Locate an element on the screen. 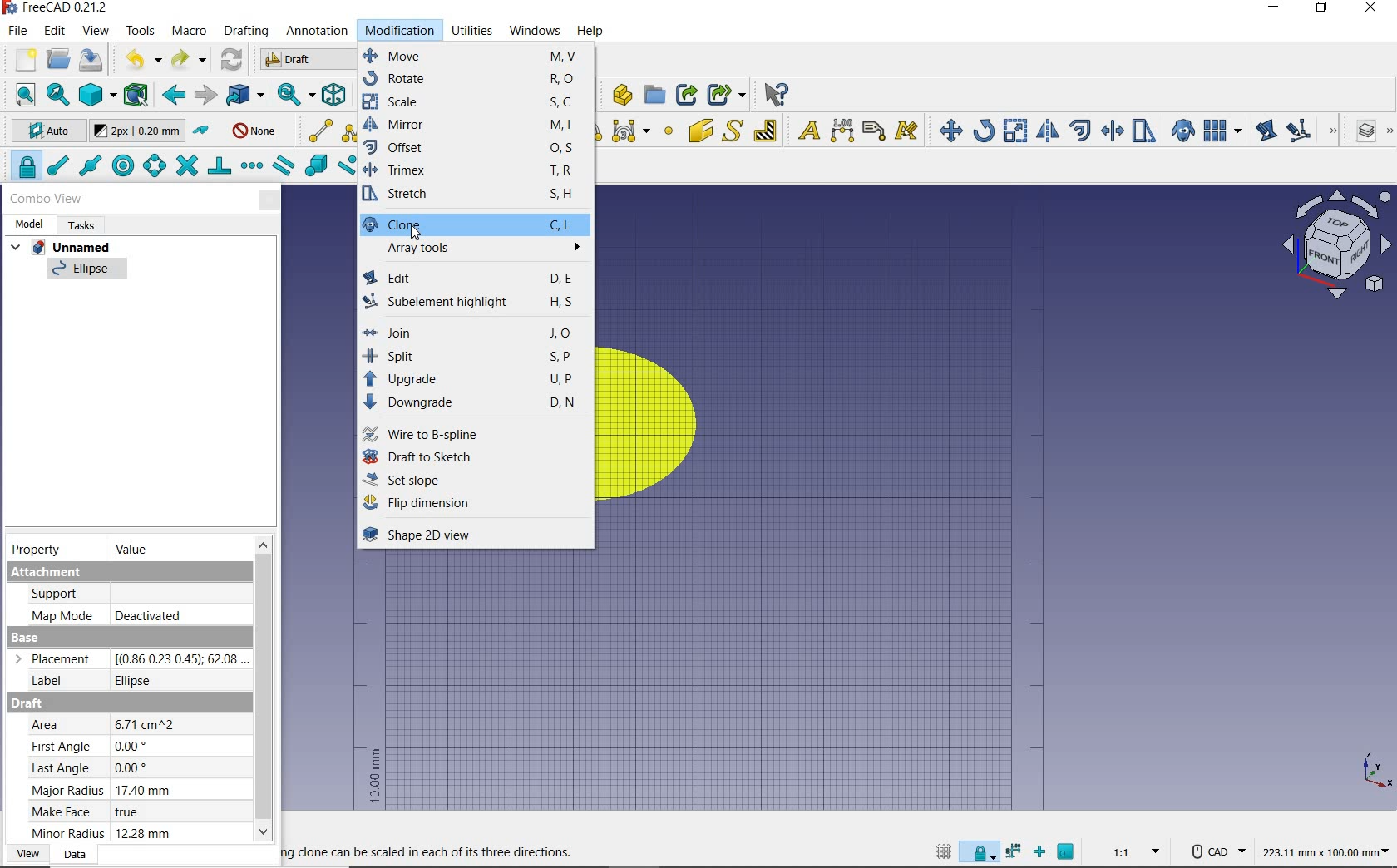 Image resolution: width=1397 pixels, height=868 pixels. mirror is located at coordinates (473, 126).